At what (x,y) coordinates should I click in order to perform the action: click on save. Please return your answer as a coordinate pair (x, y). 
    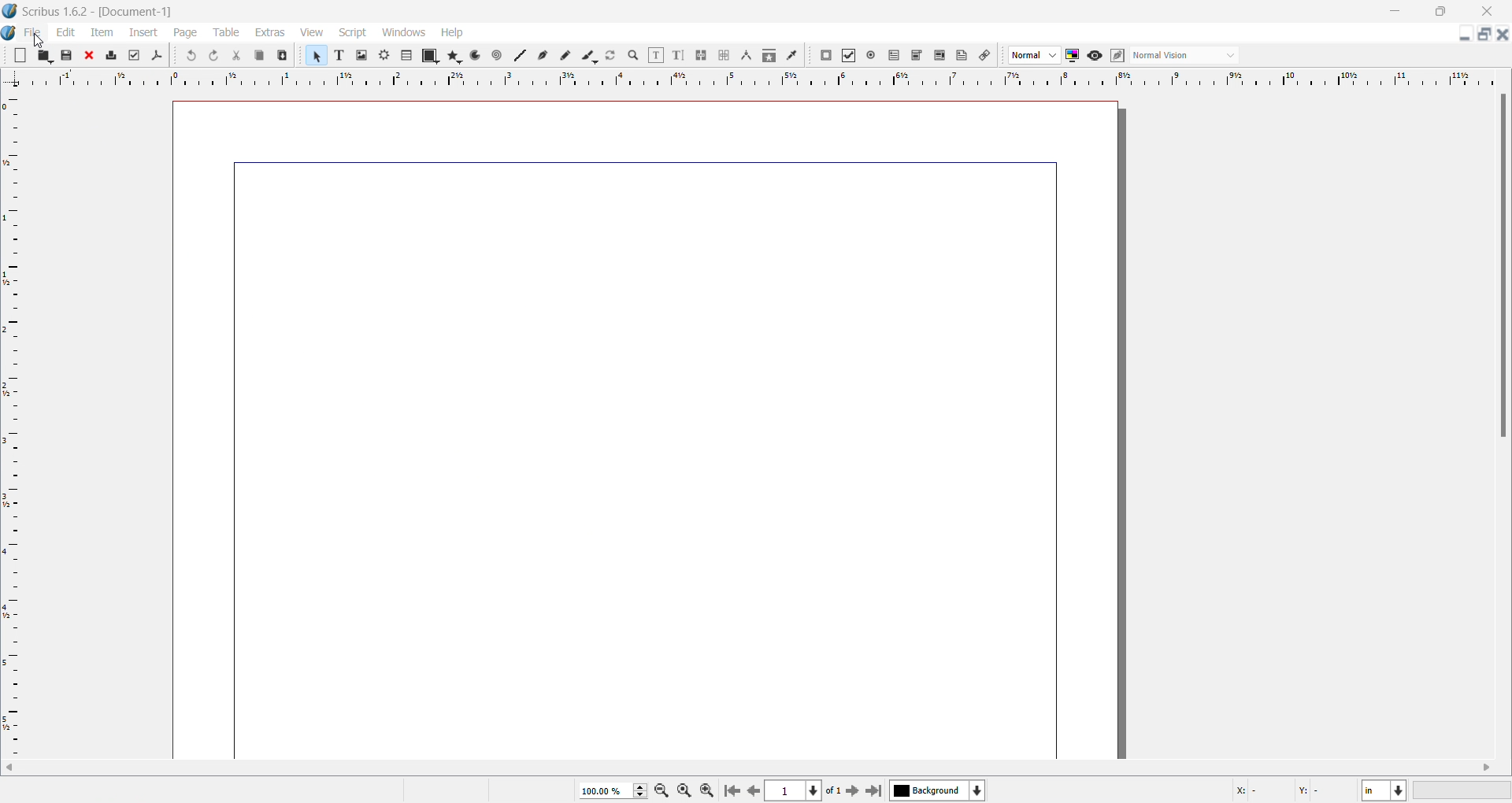
    Looking at the image, I should click on (71, 56).